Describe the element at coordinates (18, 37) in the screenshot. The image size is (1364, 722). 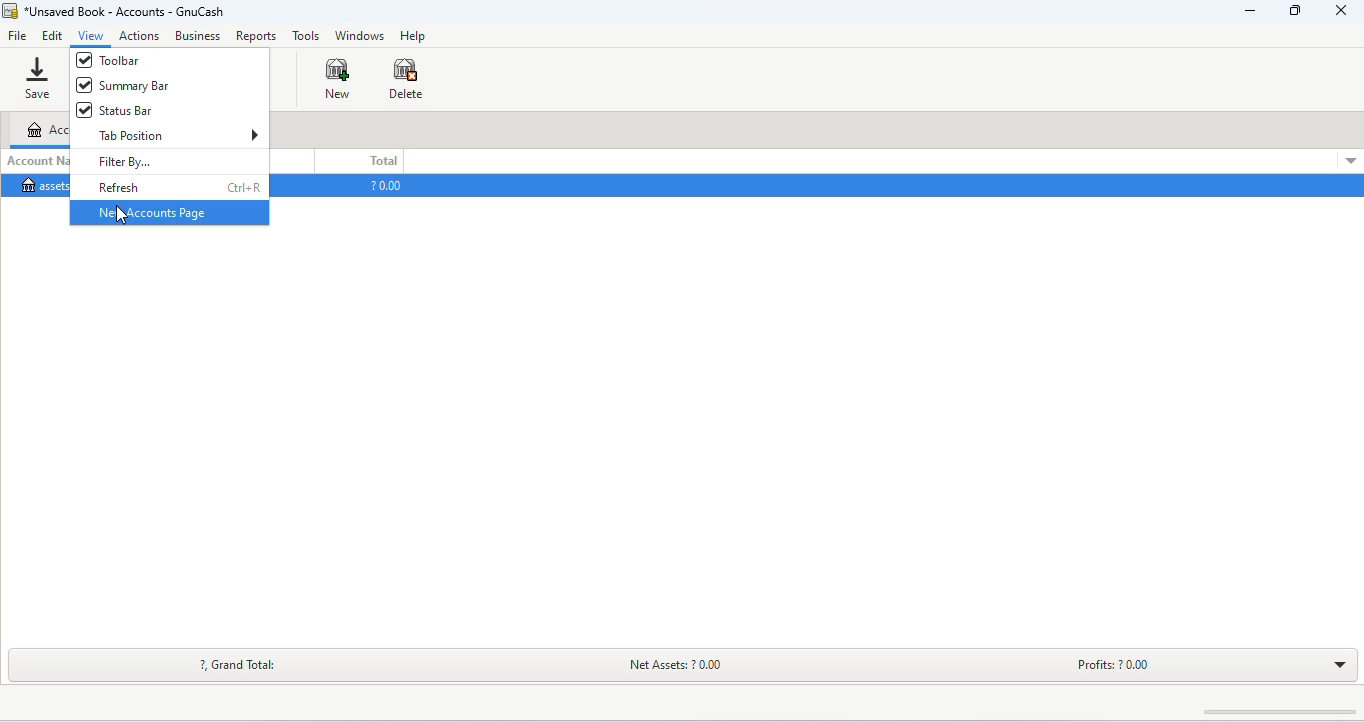
I see `file` at that location.